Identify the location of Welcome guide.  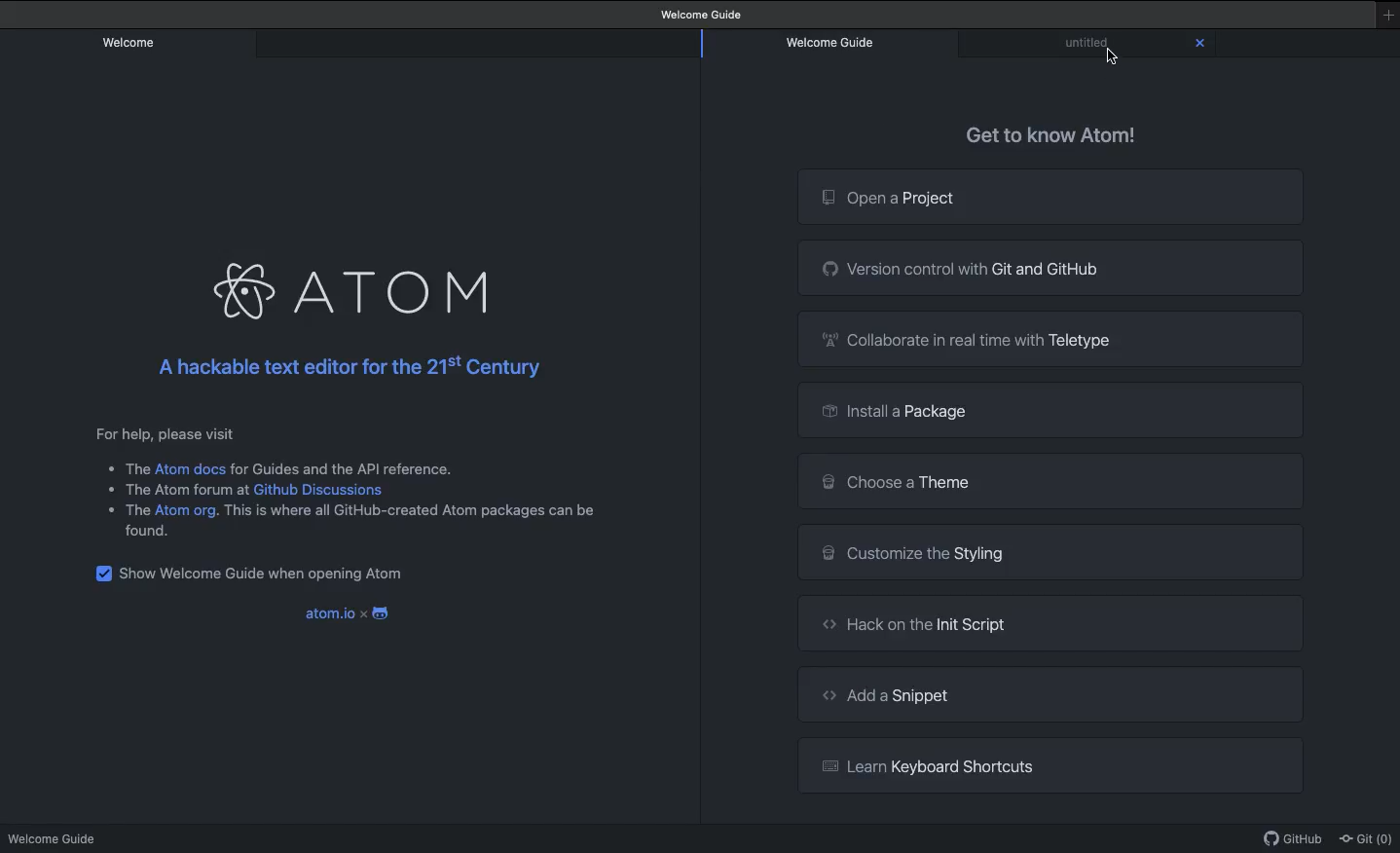
(55, 838).